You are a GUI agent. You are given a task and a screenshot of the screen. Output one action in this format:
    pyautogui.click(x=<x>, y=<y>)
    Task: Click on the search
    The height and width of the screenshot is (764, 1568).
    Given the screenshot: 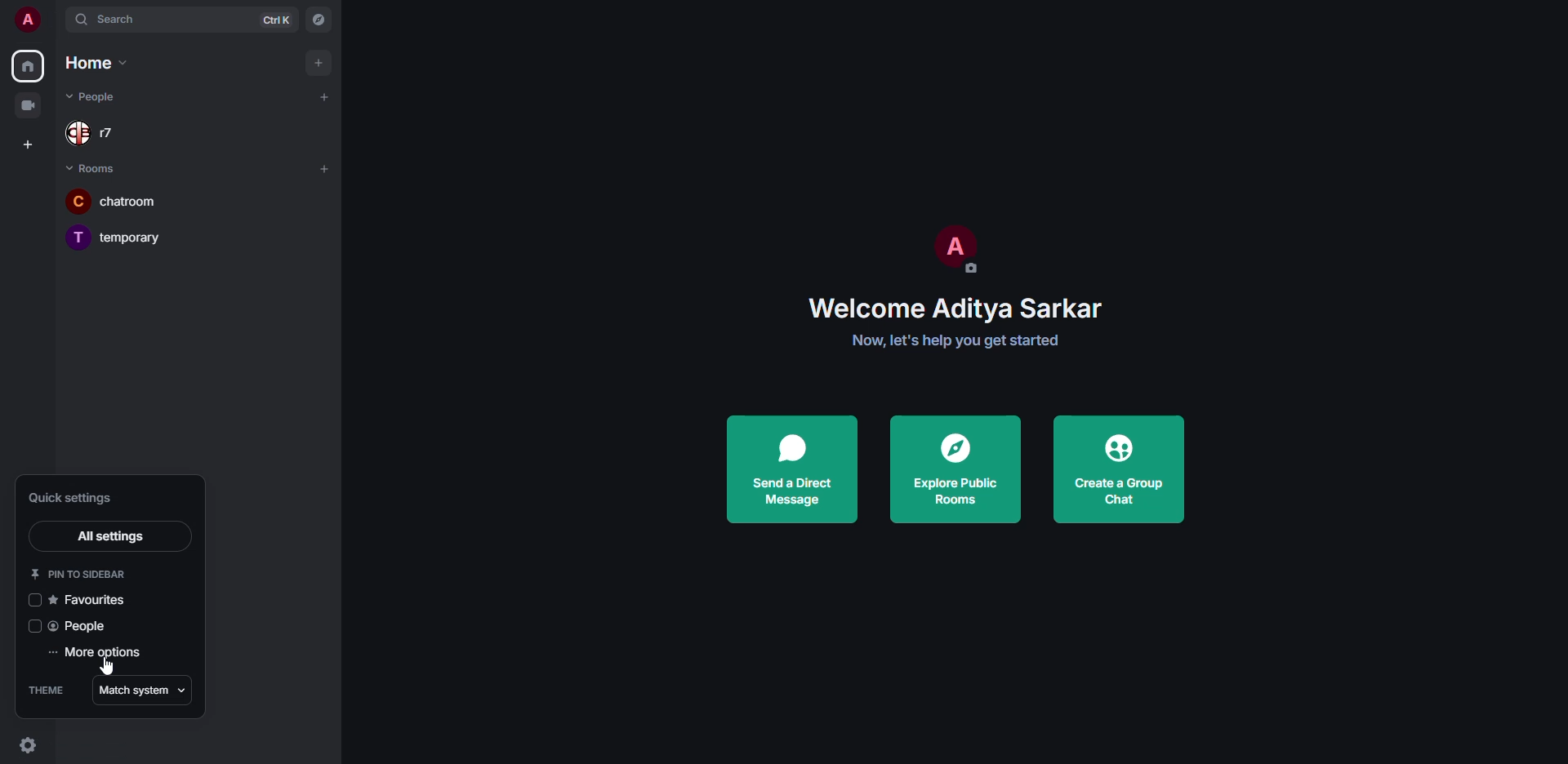 What is the action you would take?
    pyautogui.click(x=121, y=18)
    